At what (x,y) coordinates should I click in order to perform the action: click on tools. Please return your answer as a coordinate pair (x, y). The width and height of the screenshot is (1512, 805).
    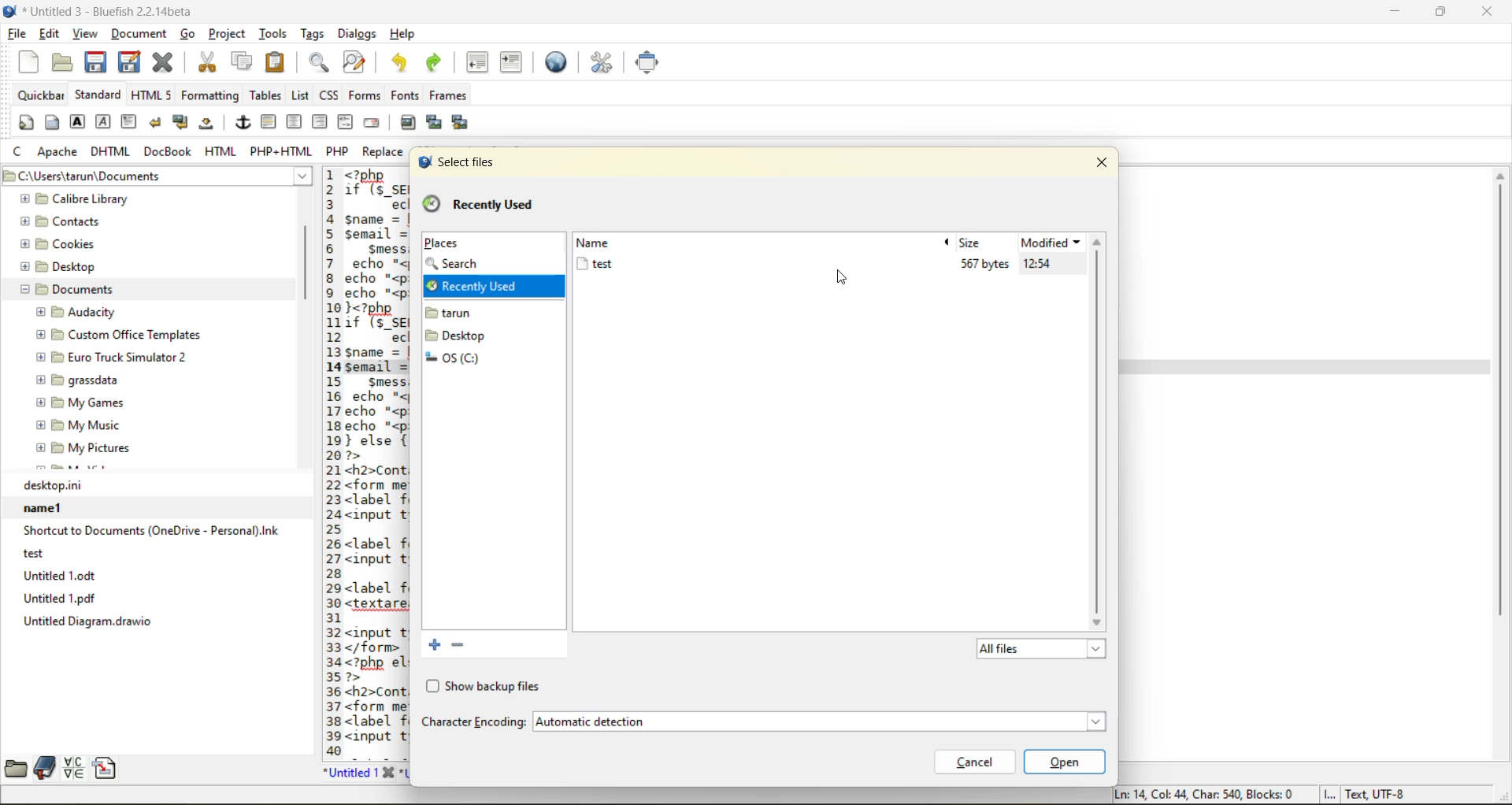
    Looking at the image, I should click on (274, 33).